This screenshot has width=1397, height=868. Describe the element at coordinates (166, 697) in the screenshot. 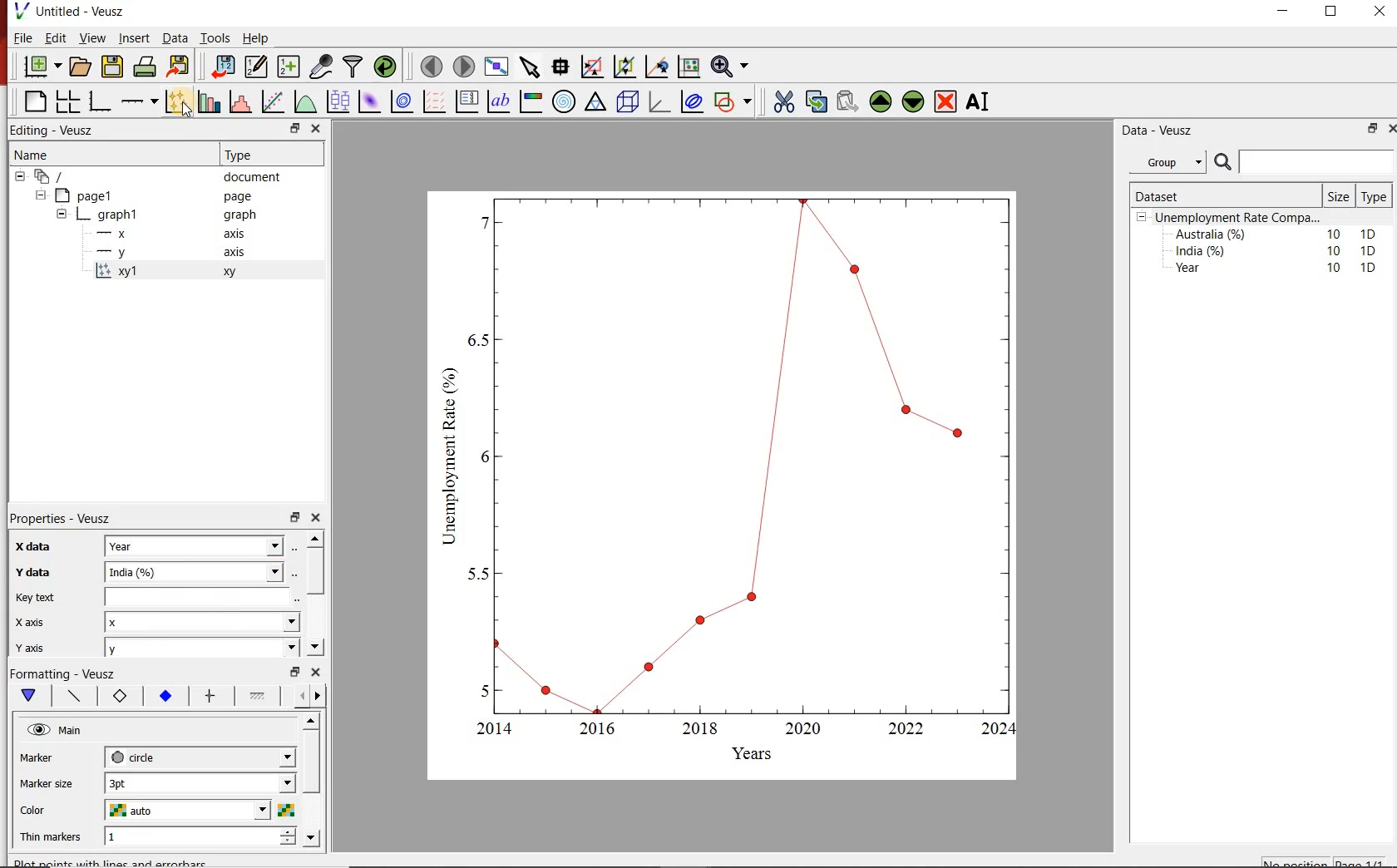

I see `marker fill ` at that location.